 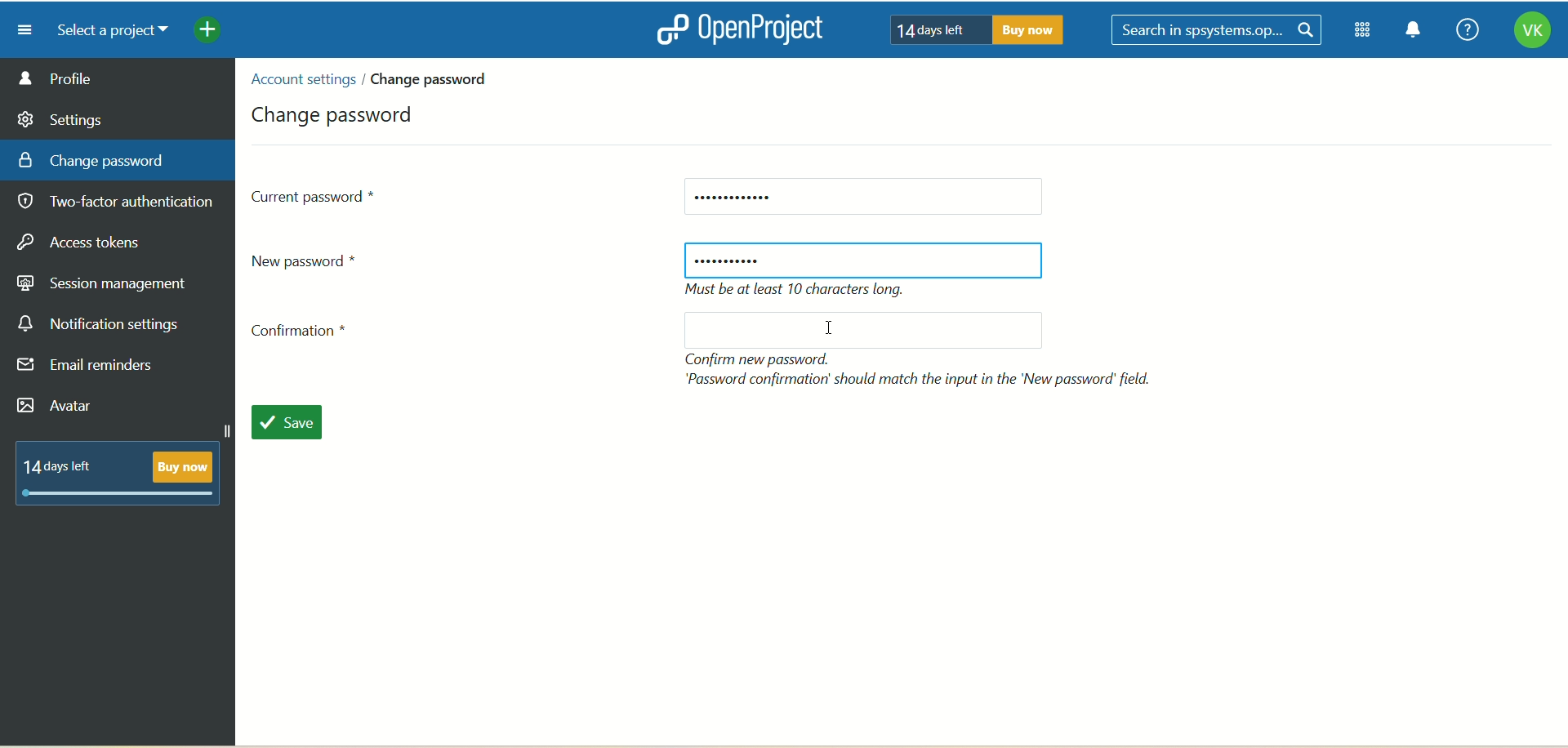 I want to click on session management, so click(x=104, y=281).